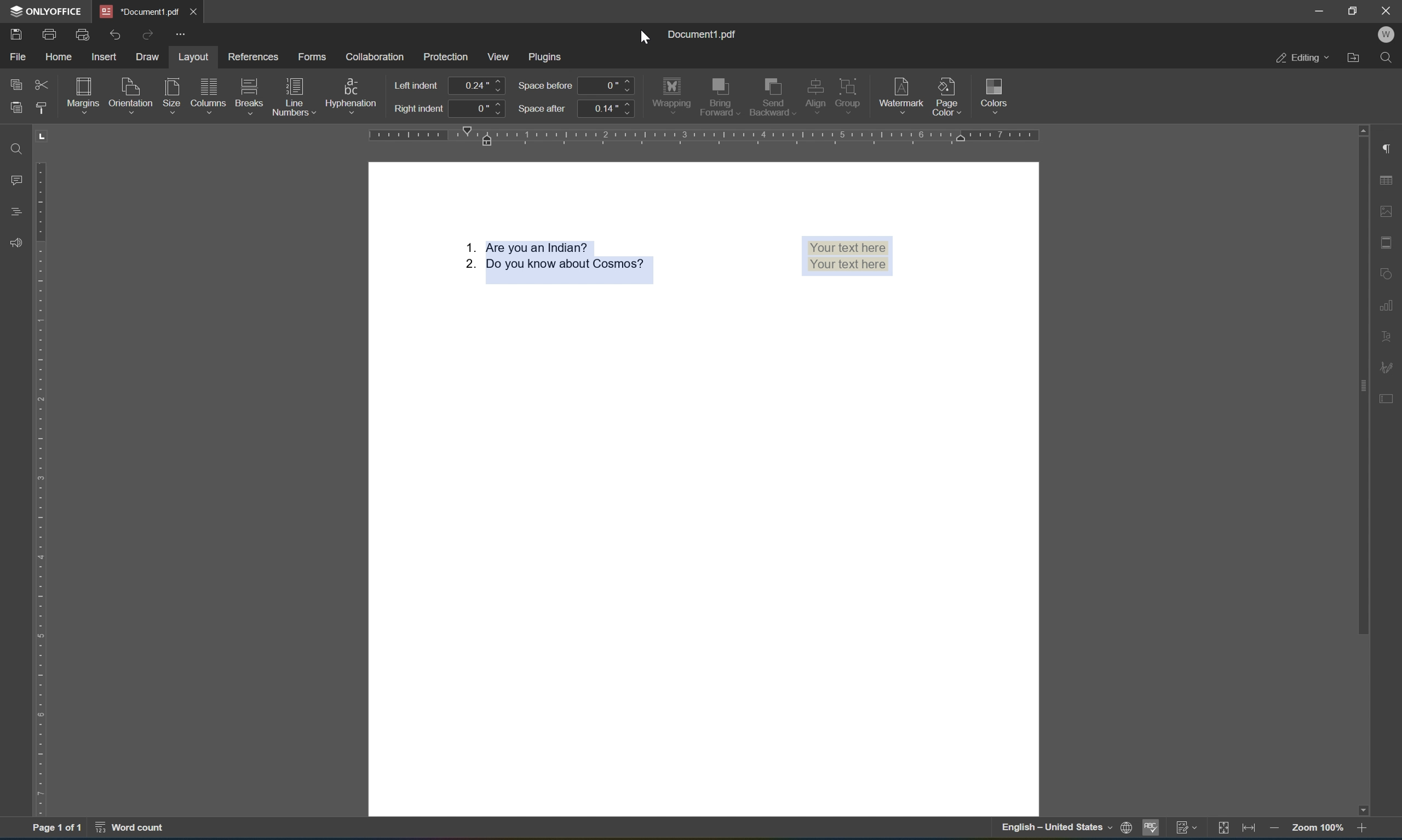 The image size is (1402, 840). Describe the element at coordinates (140, 11) in the screenshot. I see `document1` at that location.